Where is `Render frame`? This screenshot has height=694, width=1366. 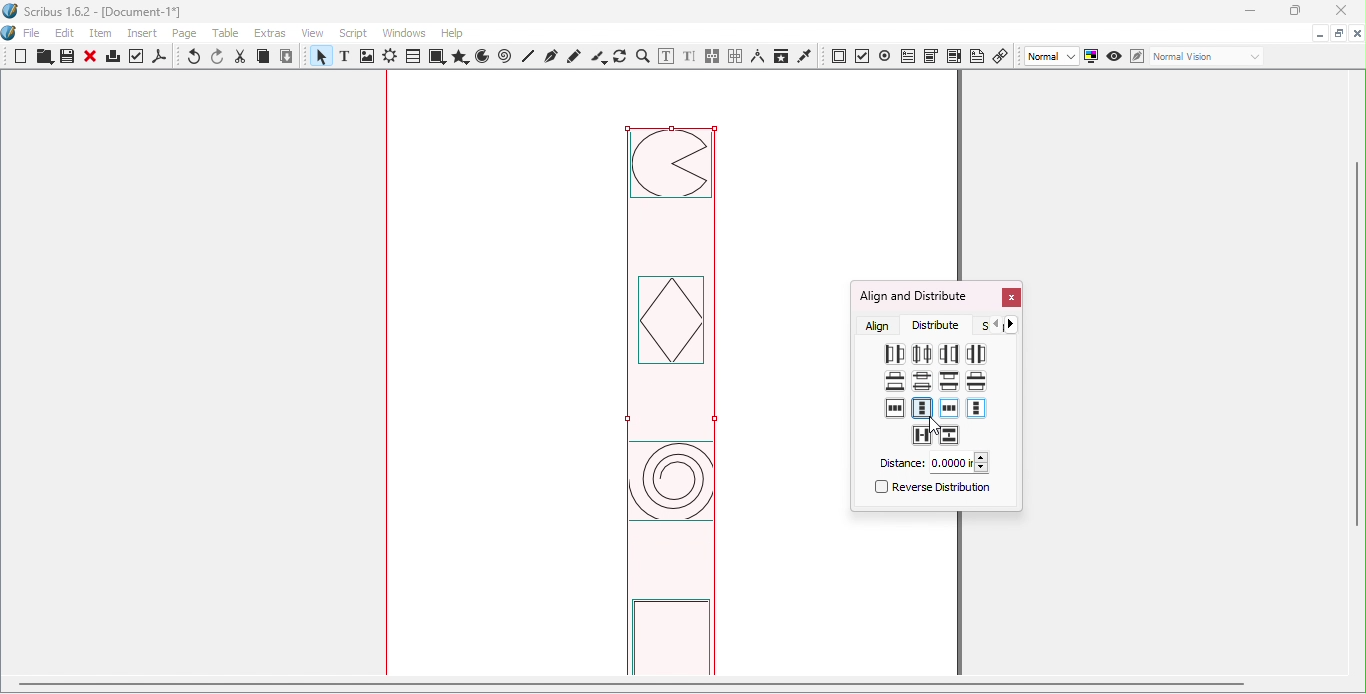 Render frame is located at coordinates (390, 58).